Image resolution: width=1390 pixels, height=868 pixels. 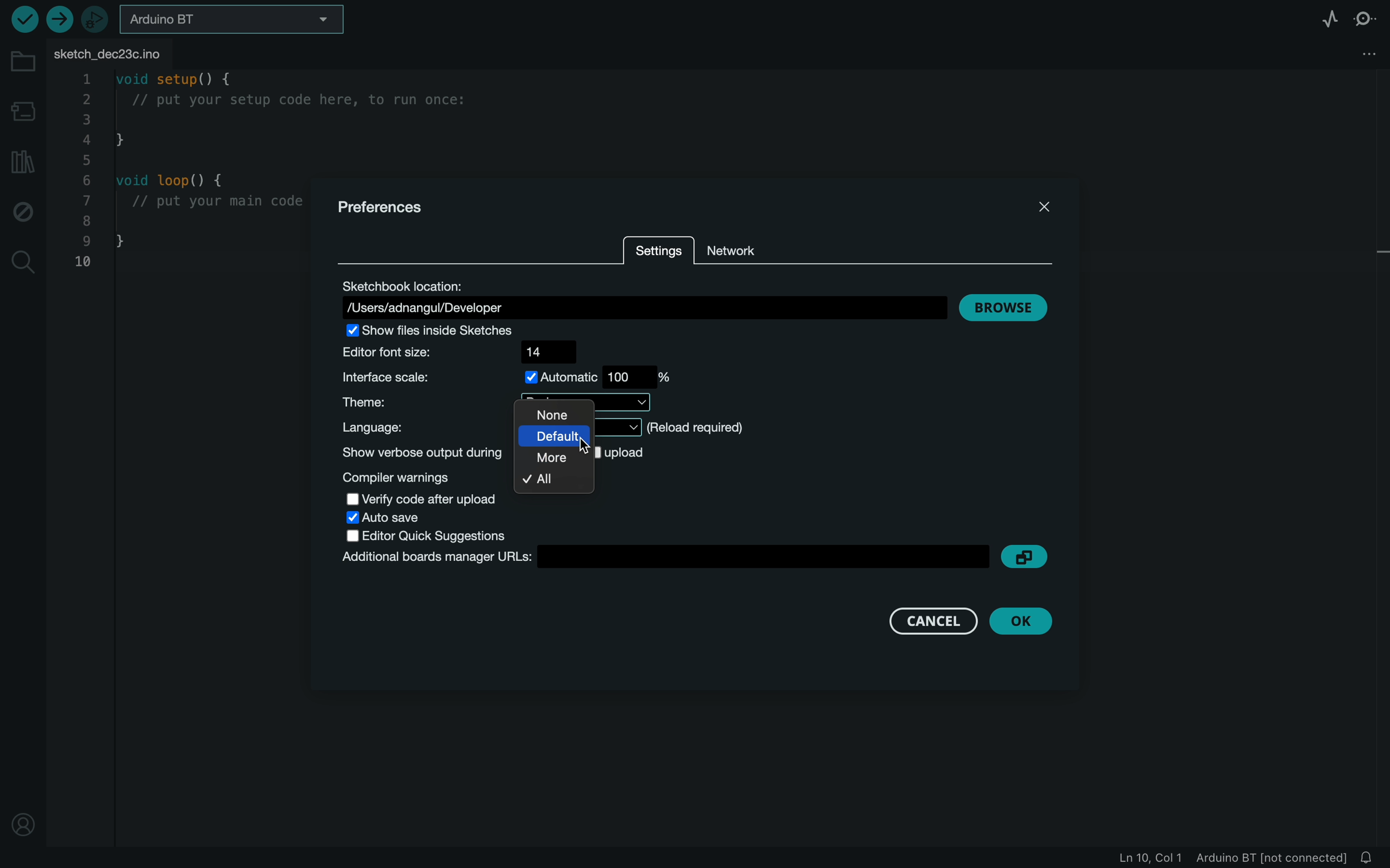 What do you see at coordinates (24, 211) in the screenshot?
I see `debug` at bounding box center [24, 211].